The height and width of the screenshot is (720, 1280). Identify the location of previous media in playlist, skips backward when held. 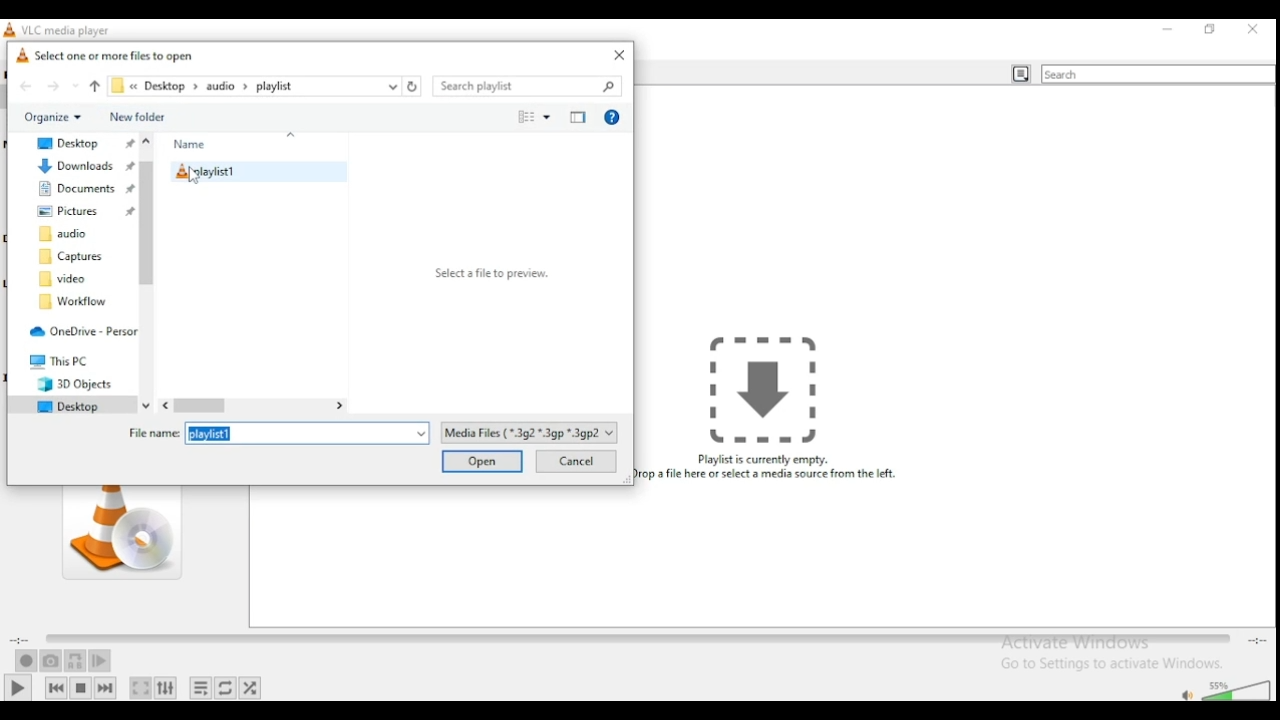
(57, 688).